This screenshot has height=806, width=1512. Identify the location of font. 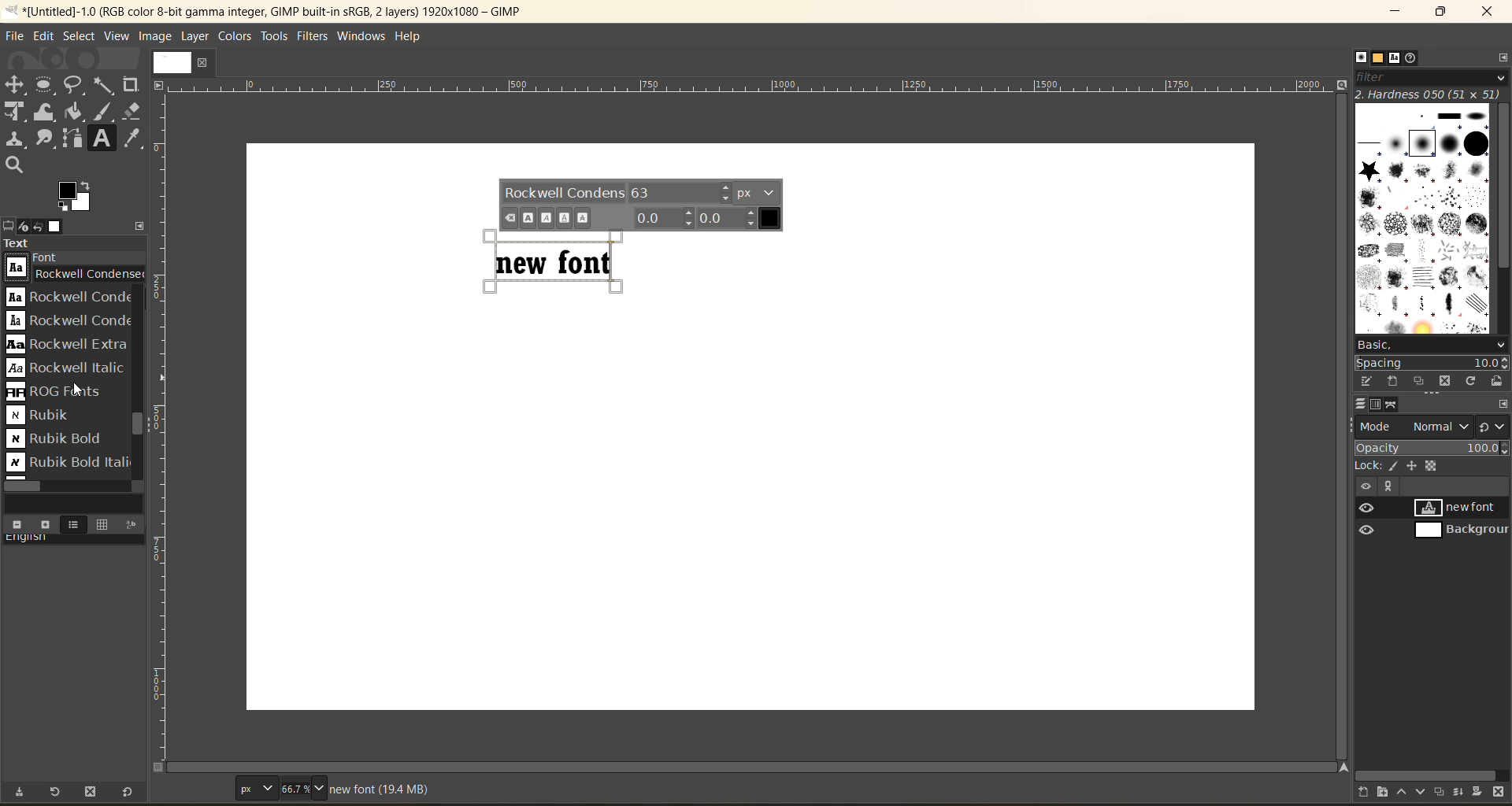
(76, 265).